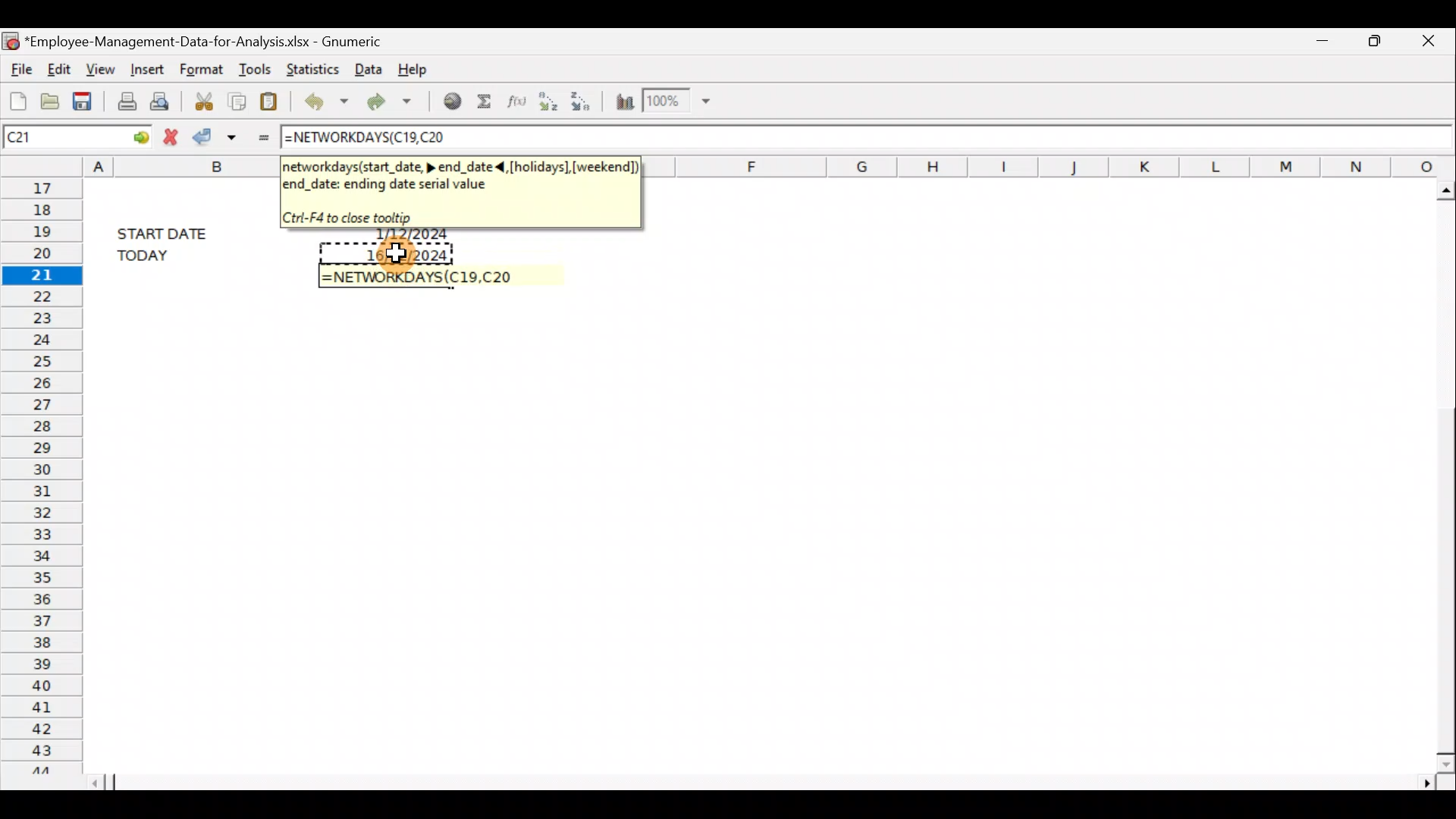 Image resolution: width=1456 pixels, height=819 pixels. Describe the element at coordinates (49, 136) in the screenshot. I see `Cell name C21` at that location.